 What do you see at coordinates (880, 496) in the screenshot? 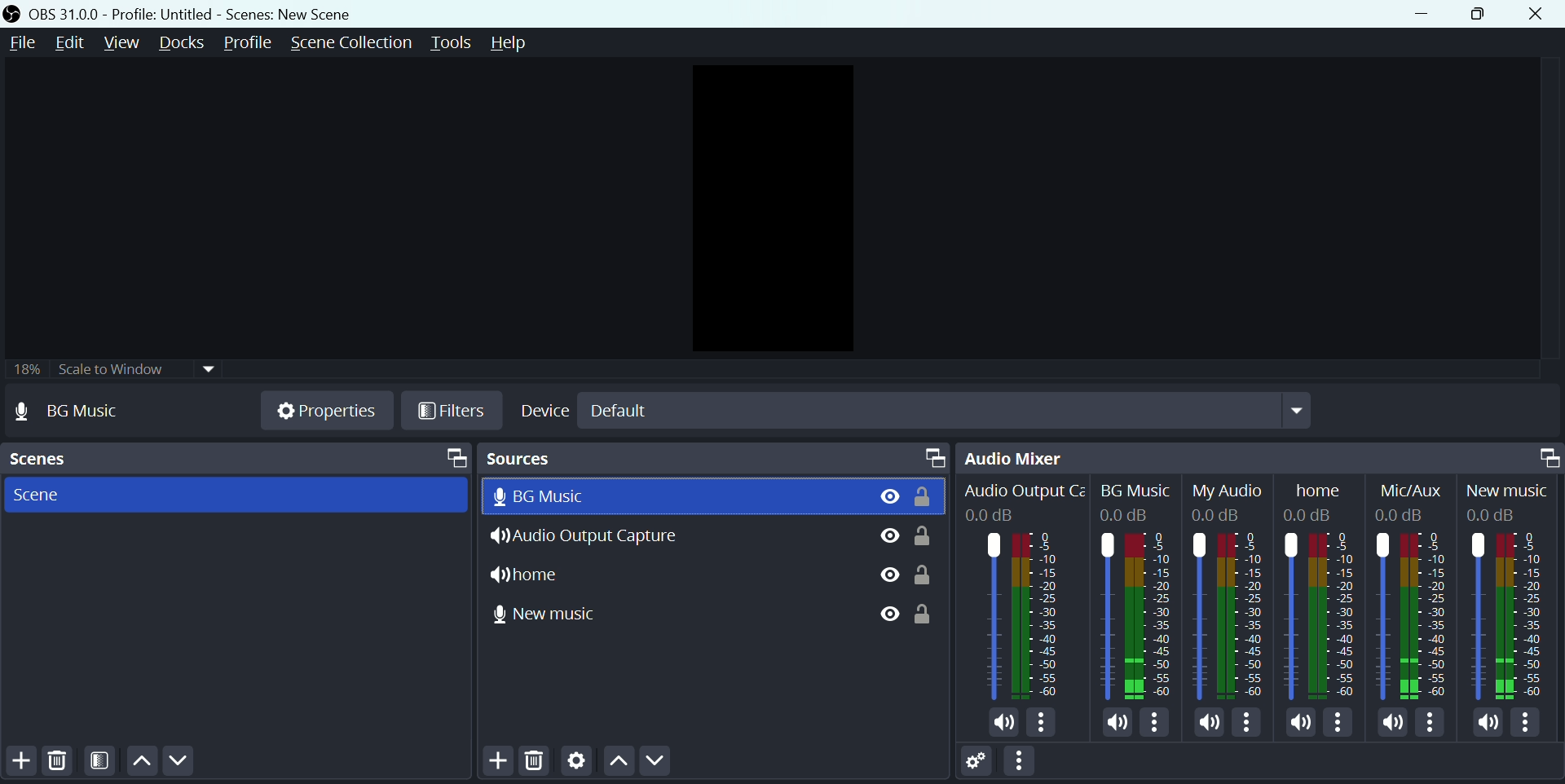
I see `View` at bounding box center [880, 496].